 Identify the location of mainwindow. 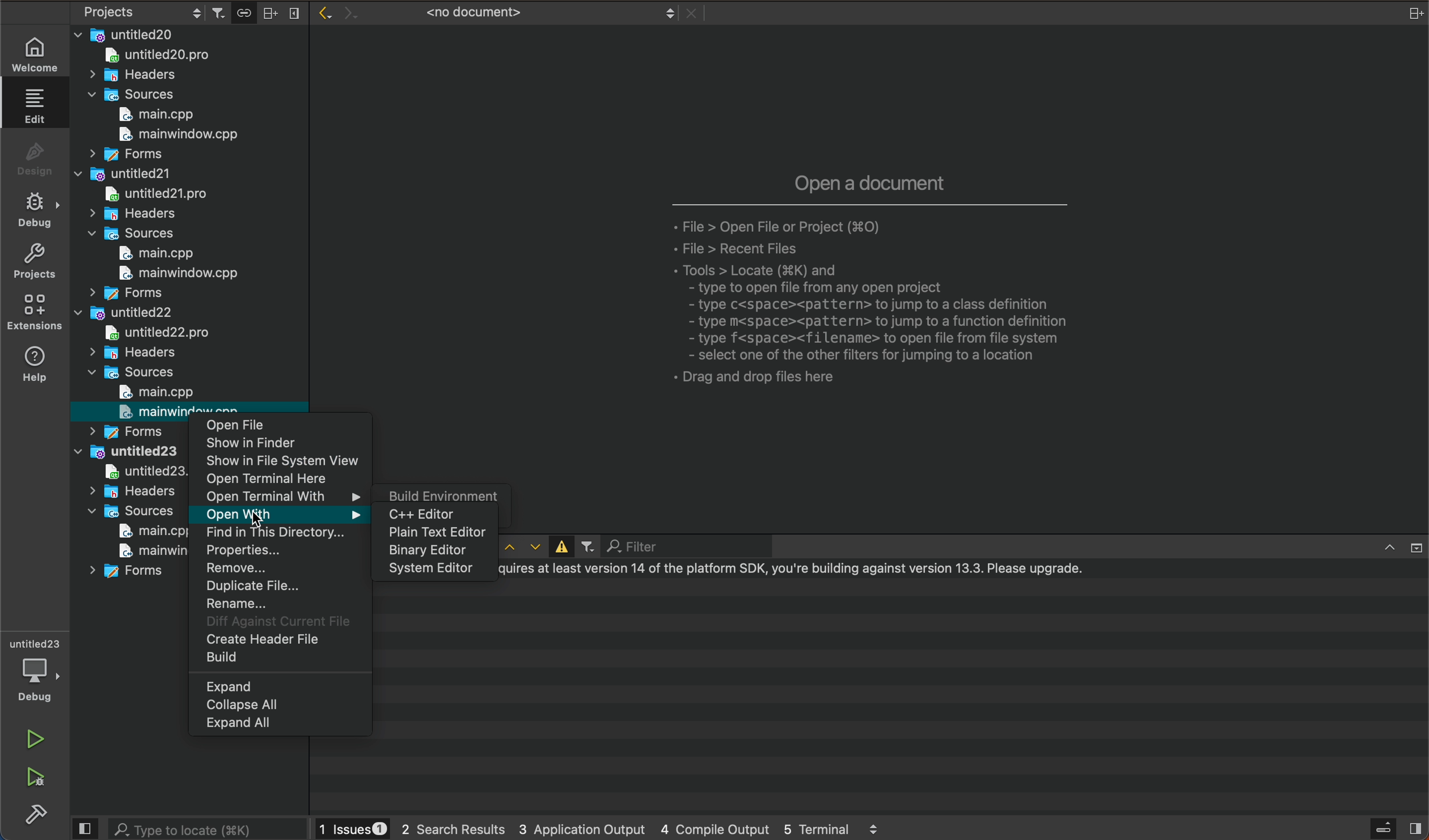
(159, 412).